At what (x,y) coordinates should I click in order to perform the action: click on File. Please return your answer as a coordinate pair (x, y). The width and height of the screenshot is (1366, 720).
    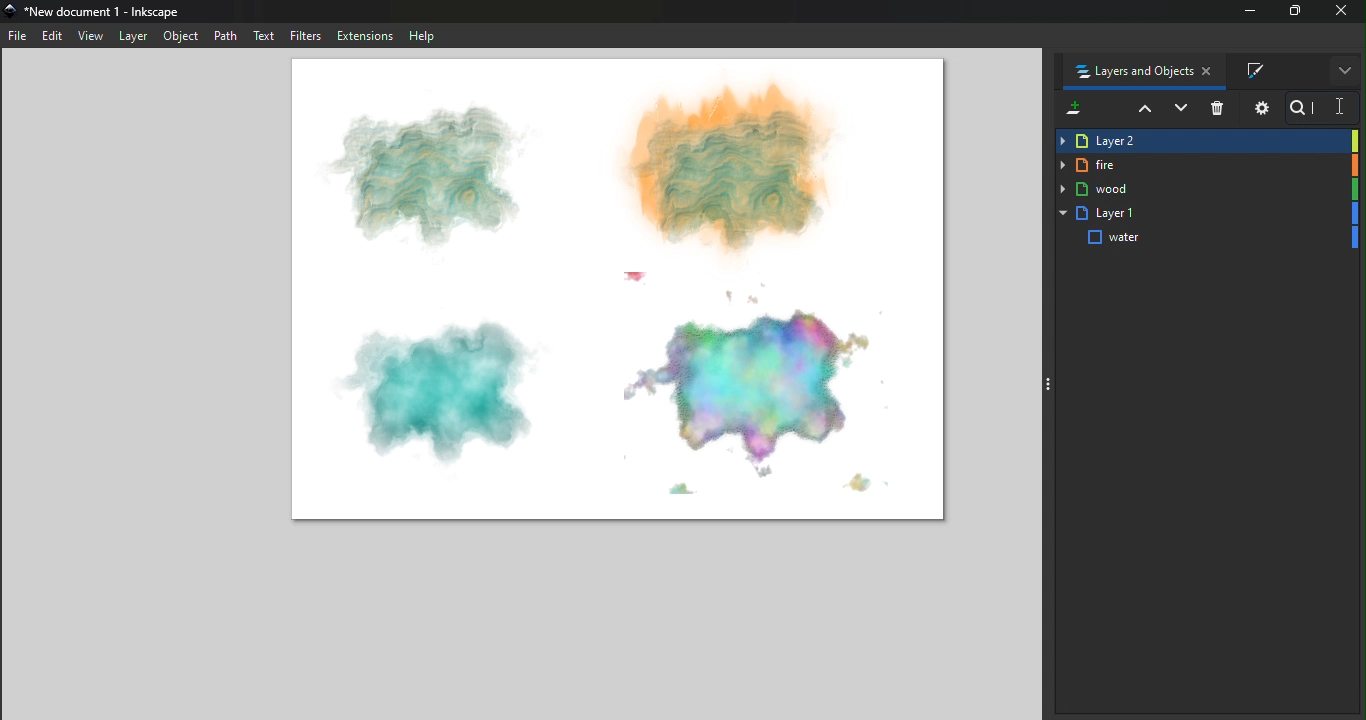
    Looking at the image, I should click on (19, 36).